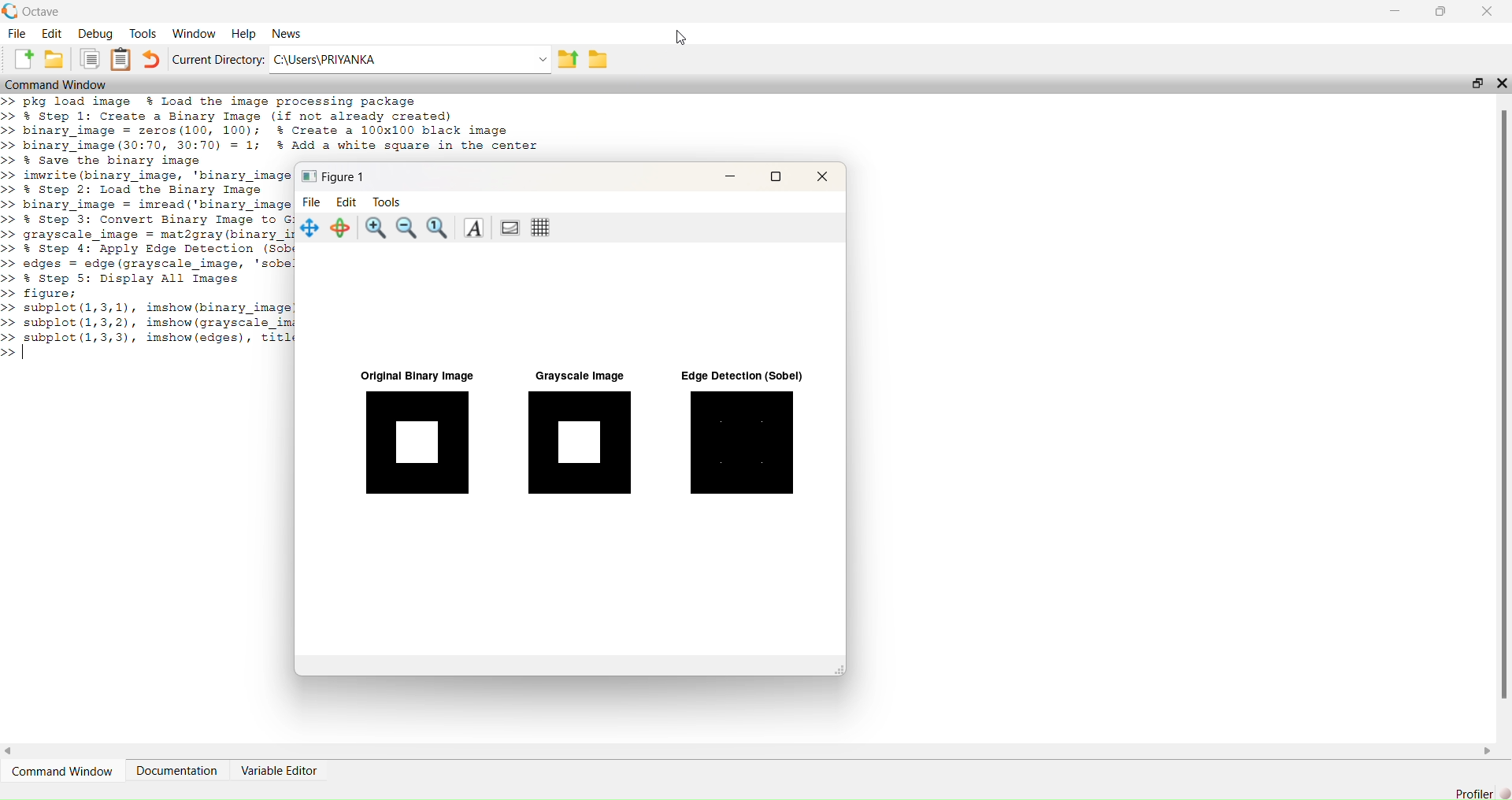 This screenshot has width=1512, height=800. Describe the element at coordinates (161, 307) in the screenshot. I see `subplot (1,3,1), imshow(binary image!` at that location.